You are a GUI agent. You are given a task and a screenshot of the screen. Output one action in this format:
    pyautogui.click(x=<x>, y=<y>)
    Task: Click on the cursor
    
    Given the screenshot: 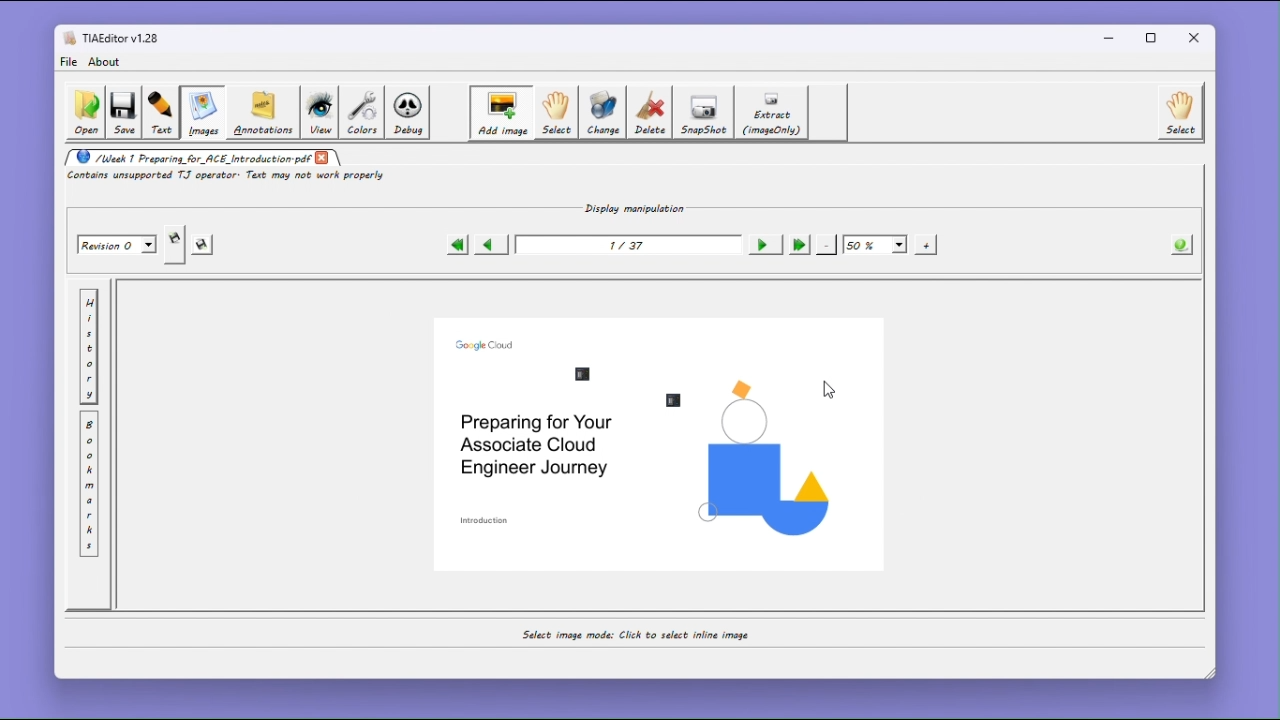 What is the action you would take?
    pyautogui.click(x=831, y=392)
    